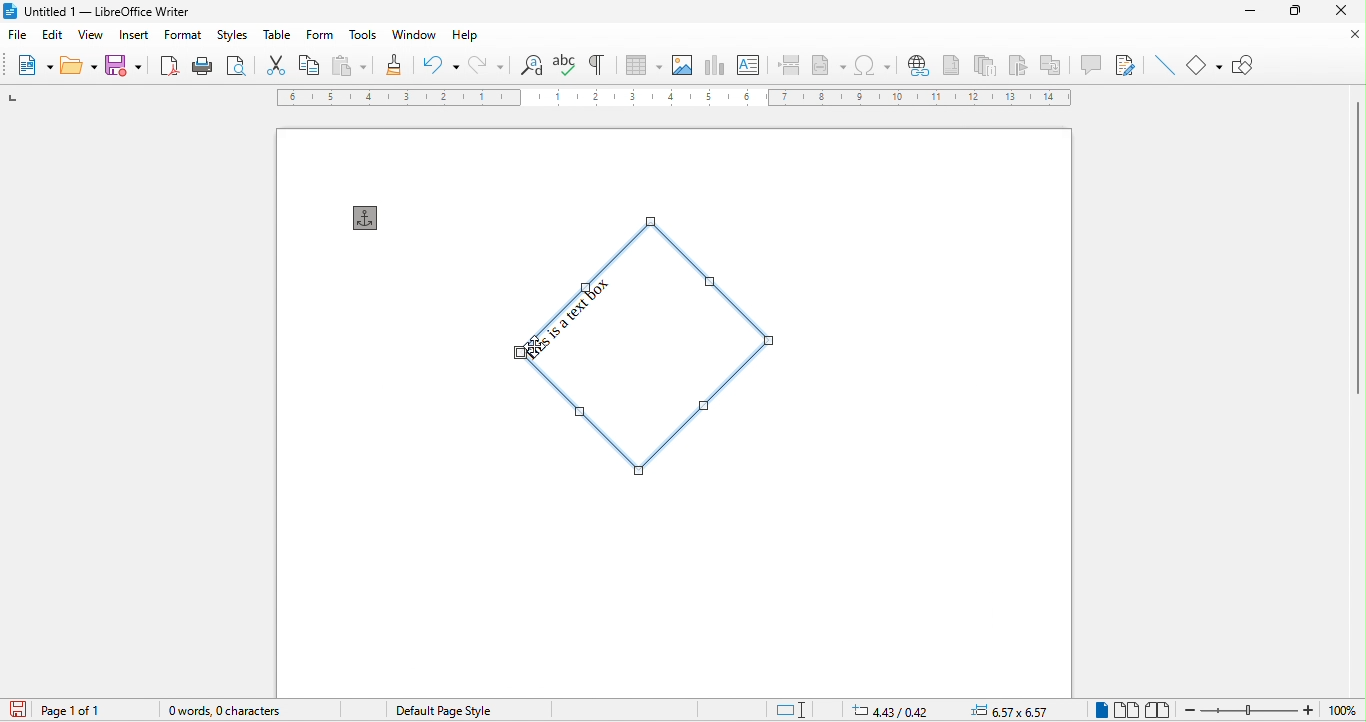 The image size is (1366, 722). Describe the element at coordinates (360, 36) in the screenshot. I see `tools` at that location.